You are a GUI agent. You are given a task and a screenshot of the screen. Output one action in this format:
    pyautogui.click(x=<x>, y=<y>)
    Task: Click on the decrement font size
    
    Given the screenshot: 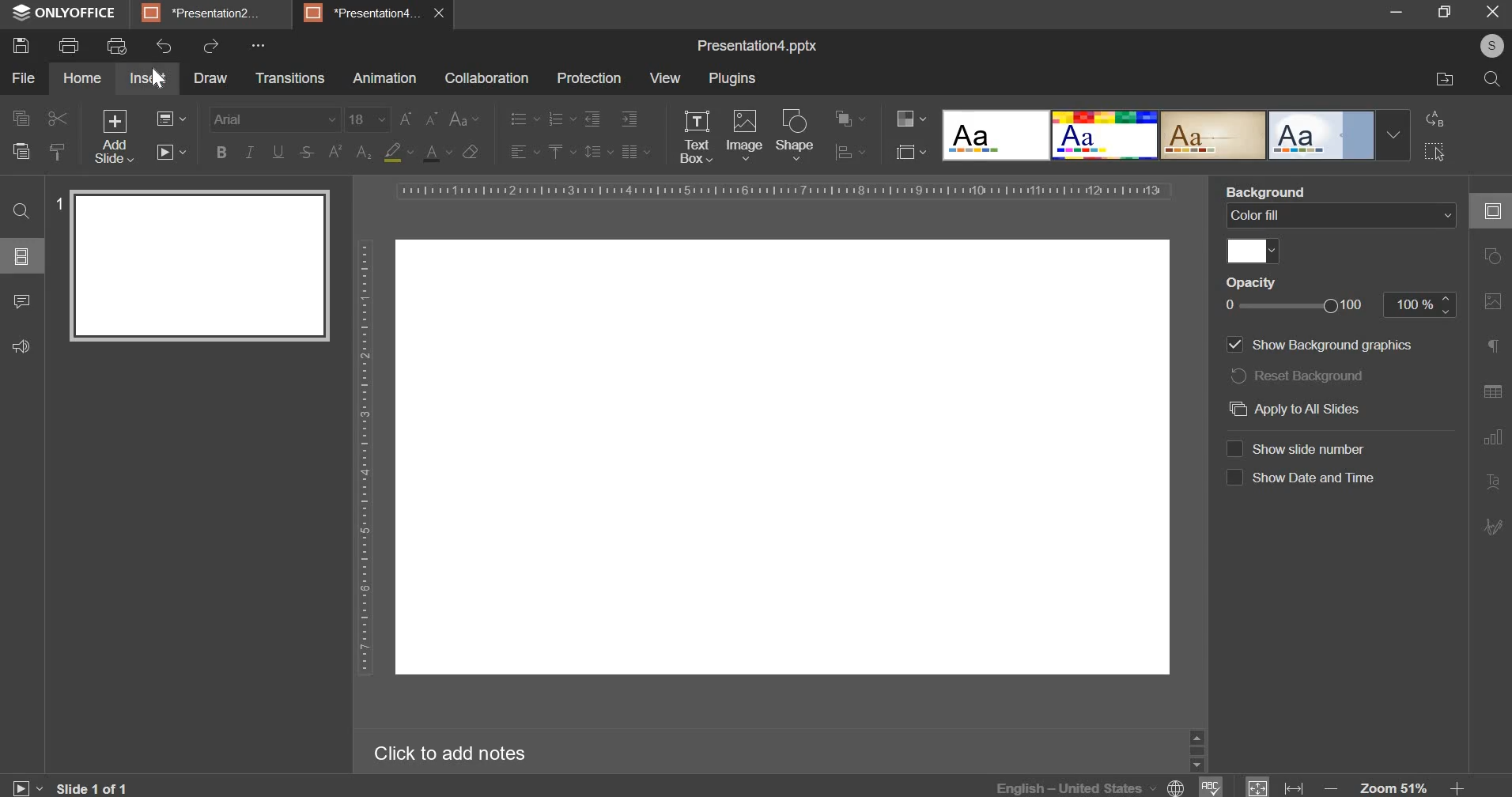 What is the action you would take?
    pyautogui.click(x=432, y=117)
    